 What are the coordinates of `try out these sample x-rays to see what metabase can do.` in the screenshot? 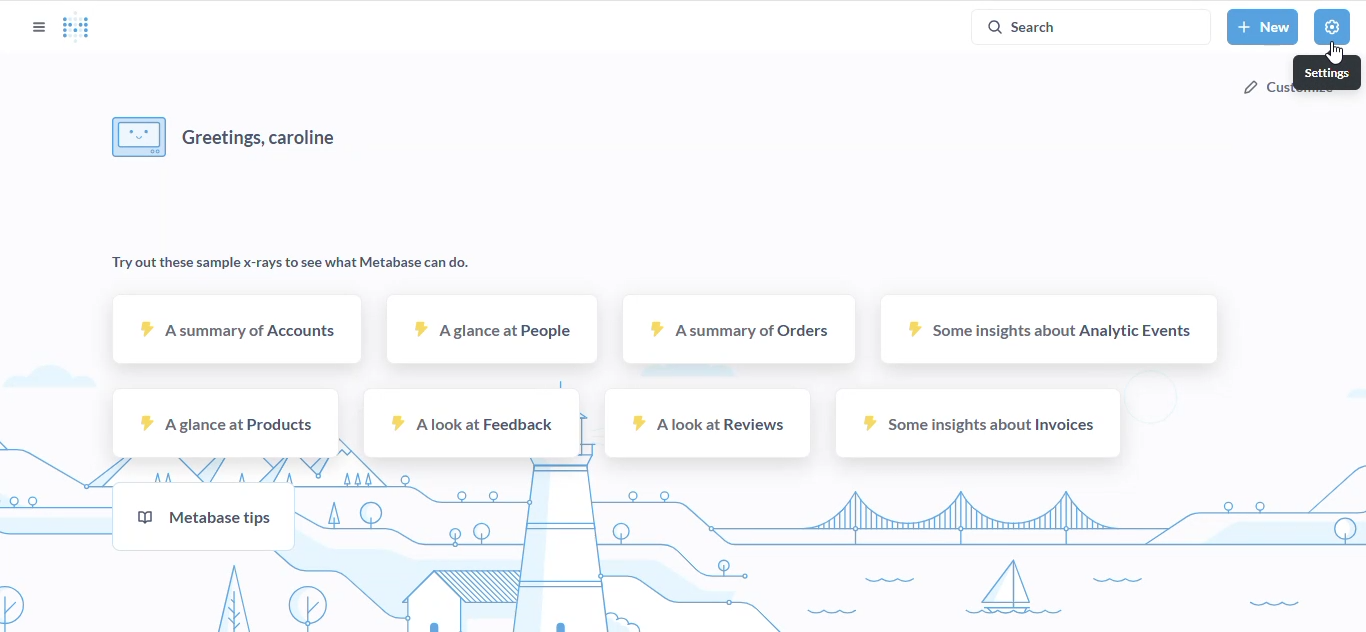 It's located at (292, 263).